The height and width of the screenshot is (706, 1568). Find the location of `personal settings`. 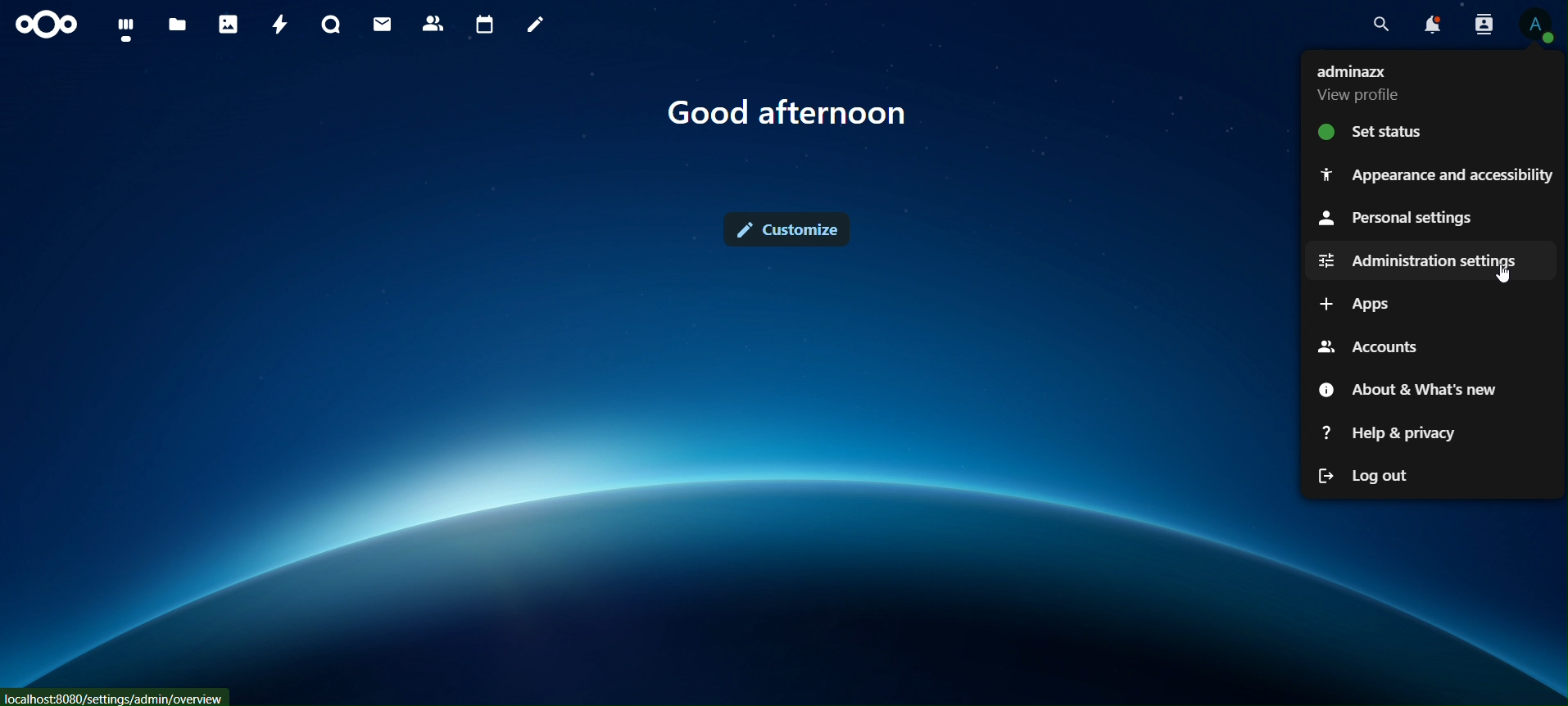

personal settings is located at coordinates (1393, 217).